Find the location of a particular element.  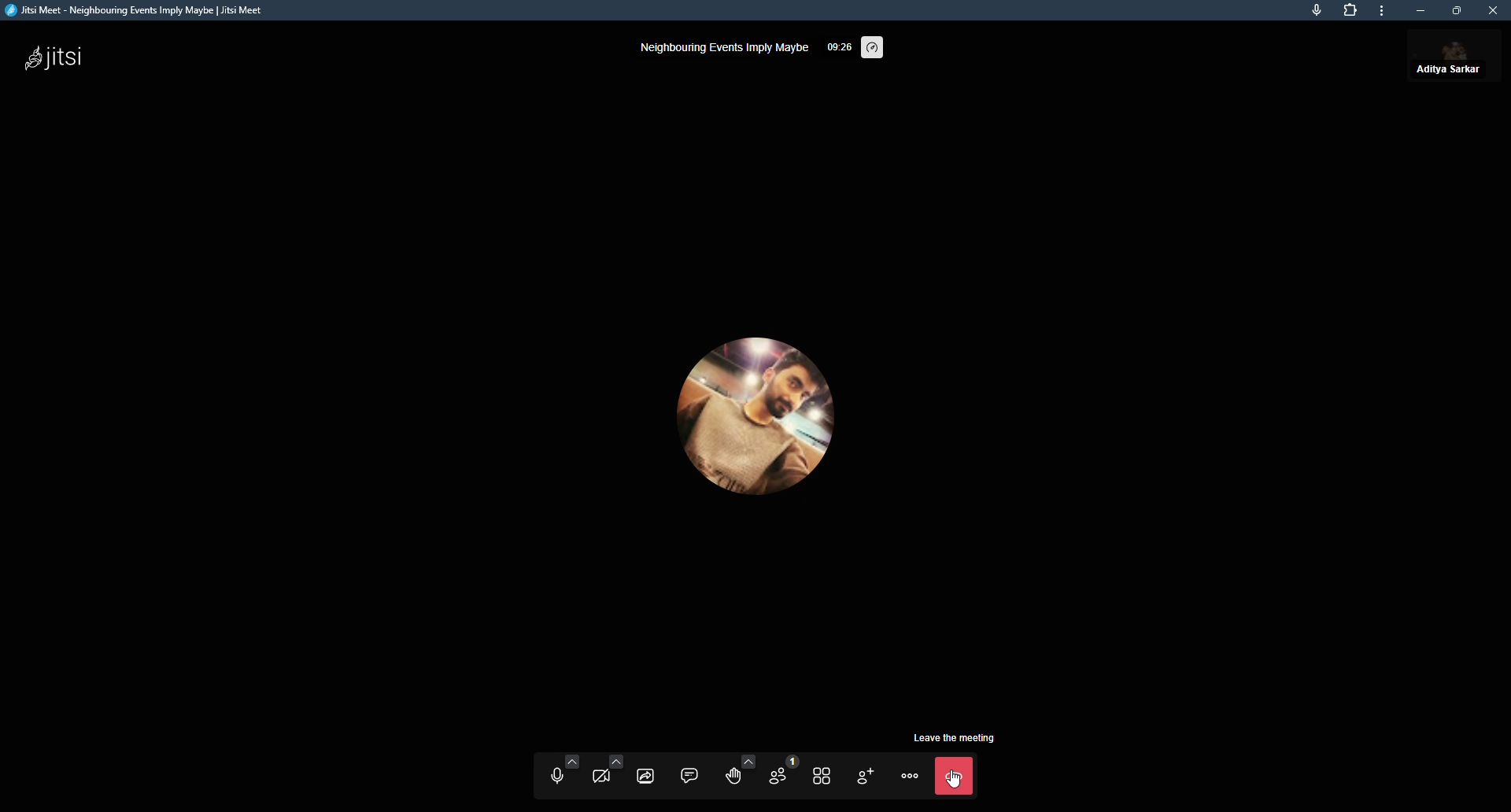

leave meeting is located at coordinates (955, 777).